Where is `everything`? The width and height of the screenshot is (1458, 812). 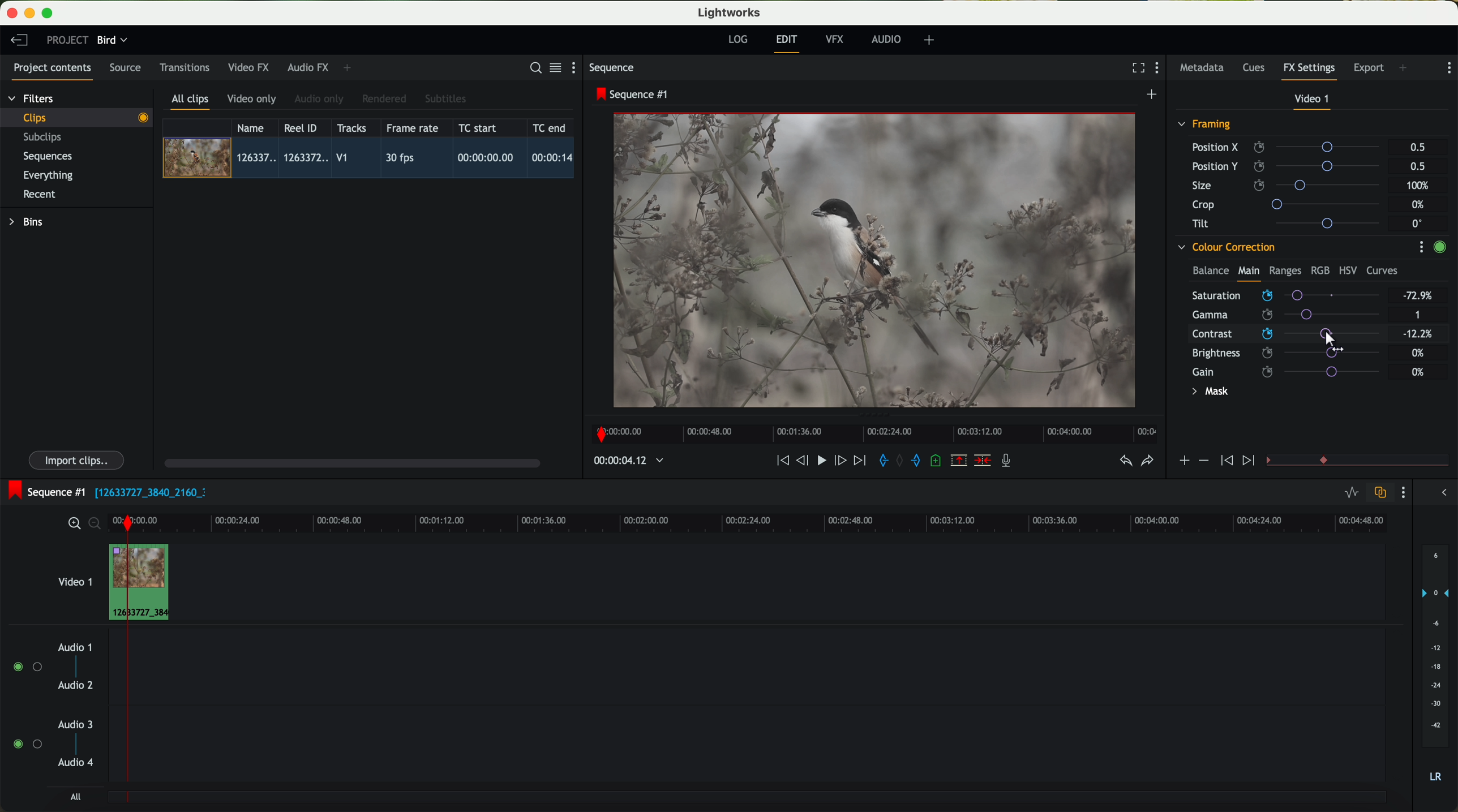
everything is located at coordinates (49, 175).